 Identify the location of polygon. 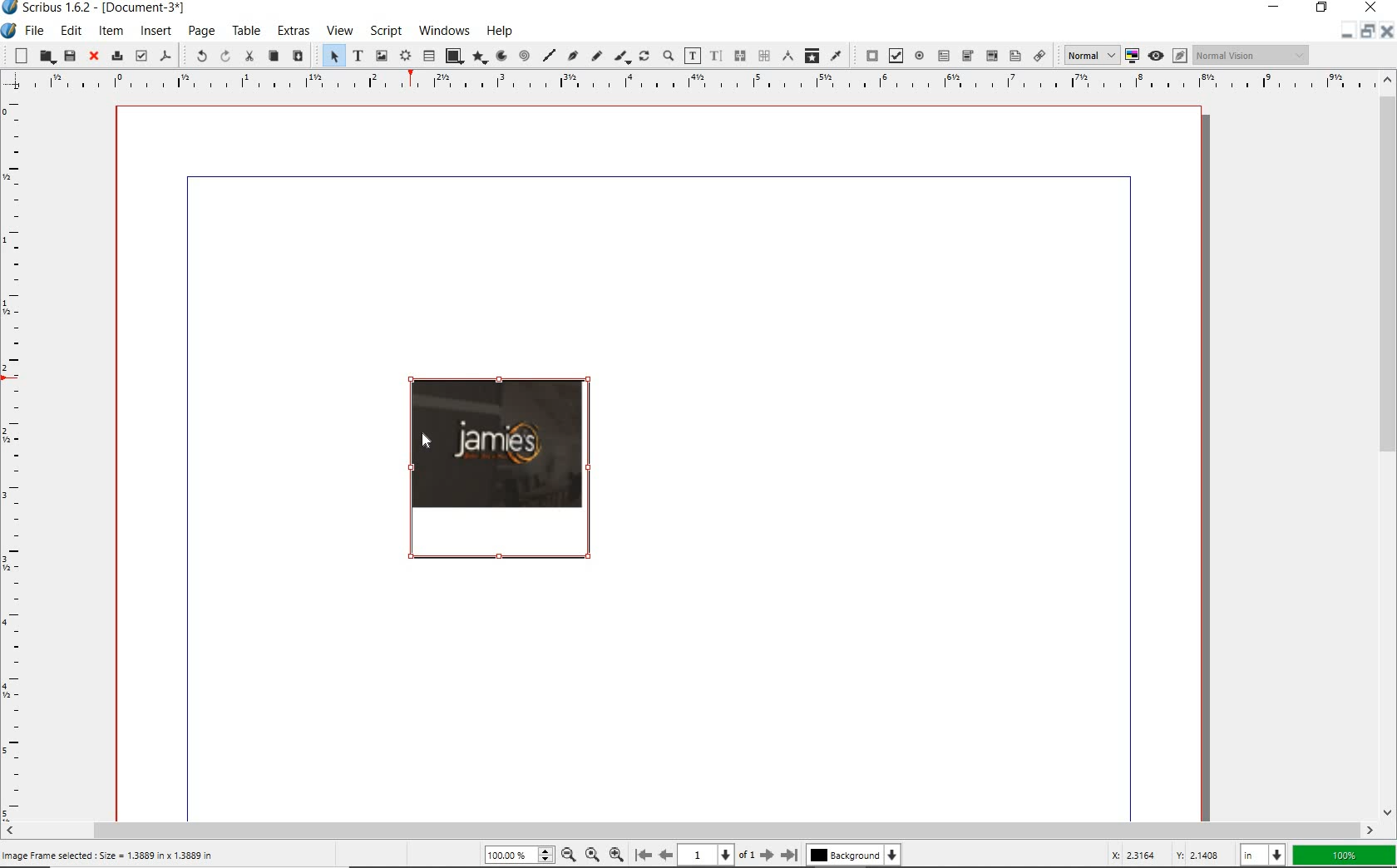
(480, 57).